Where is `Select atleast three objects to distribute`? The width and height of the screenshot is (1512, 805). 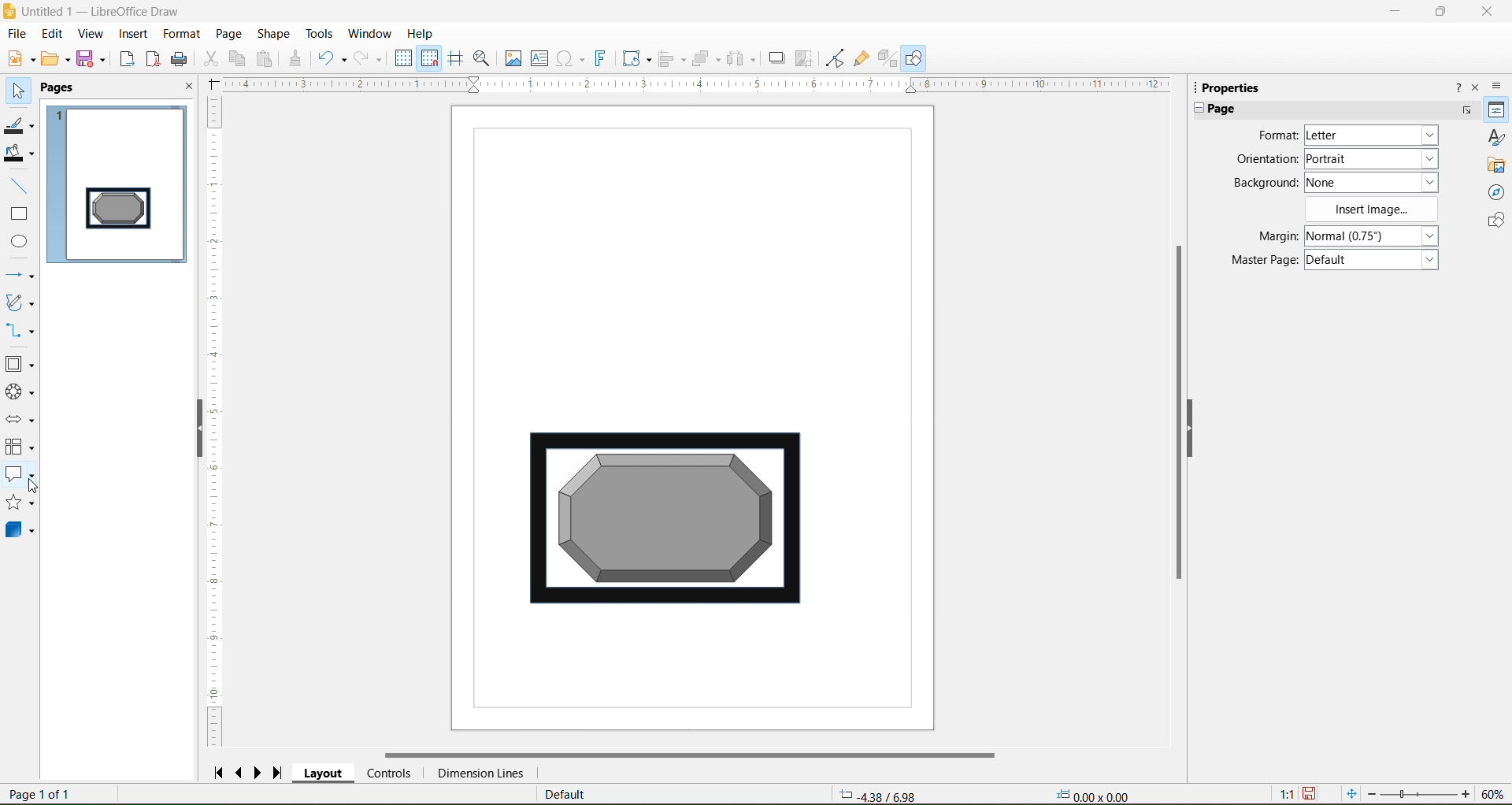
Select atleast three objects to distribute is located at coordinates (741, 58).